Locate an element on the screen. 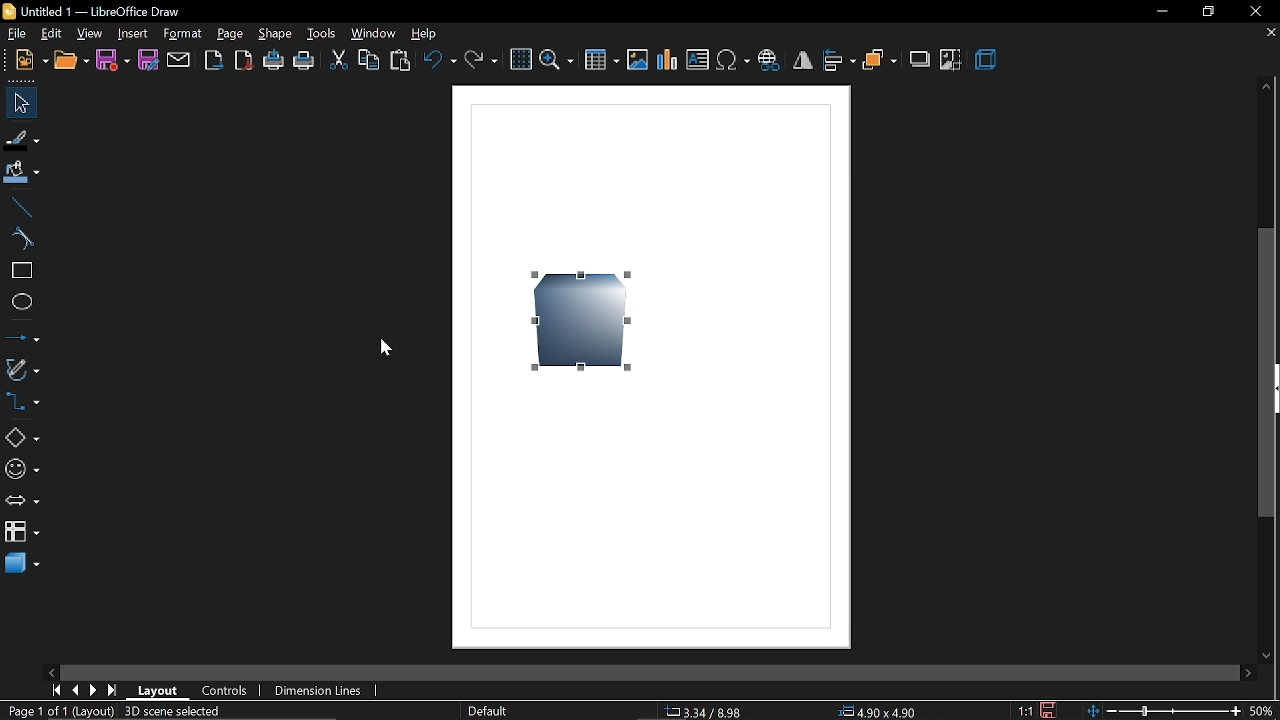 Image resolution: width=1280 pixels, height=720 pixels. go to last page is located at coordinates (112, 691).